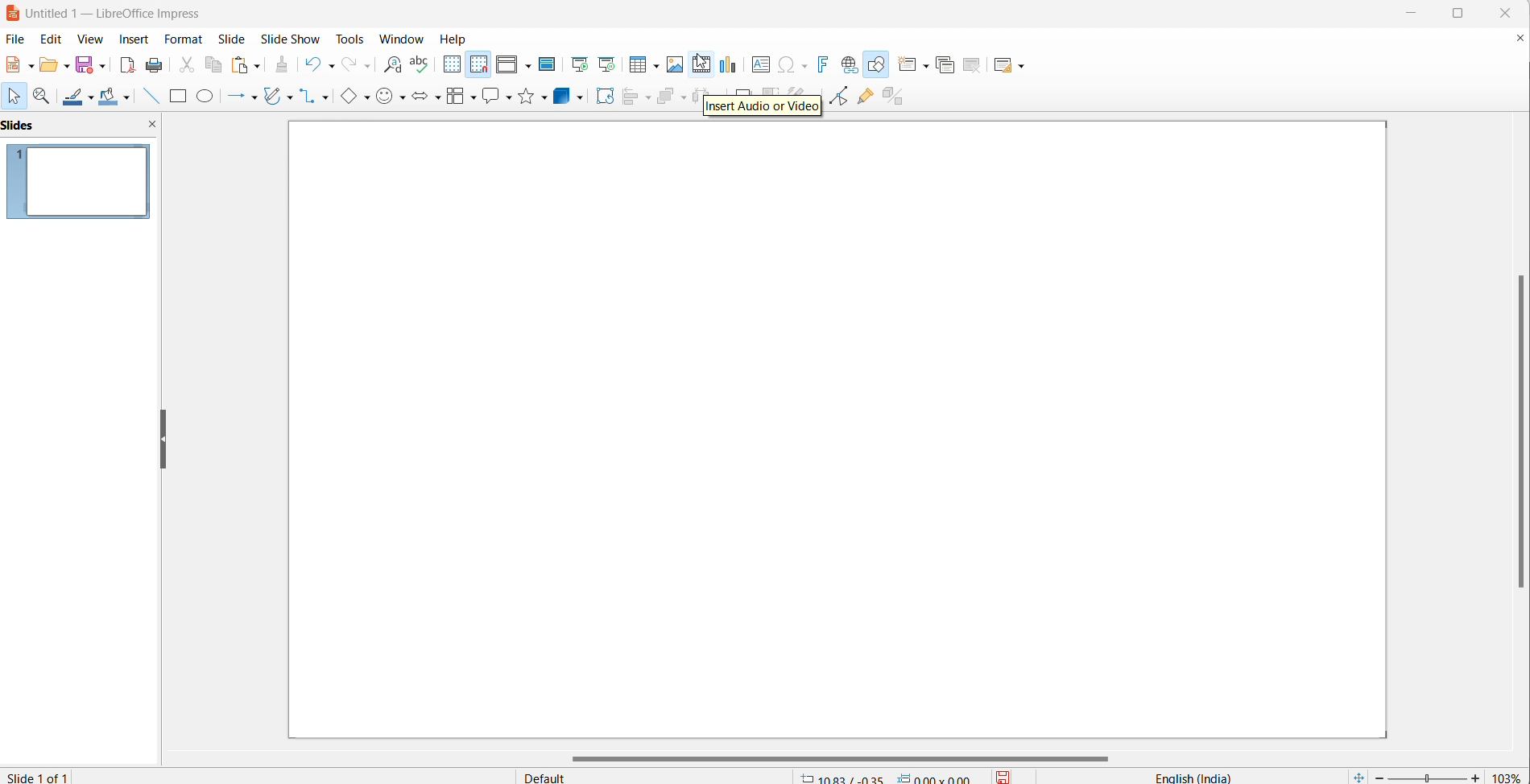 Image resolution: width=1530 pixels, height=784 pixels. What do you see at coordinates (604, 95) in the screenshot?
I see `rotate` at bounding box center [604, 95].